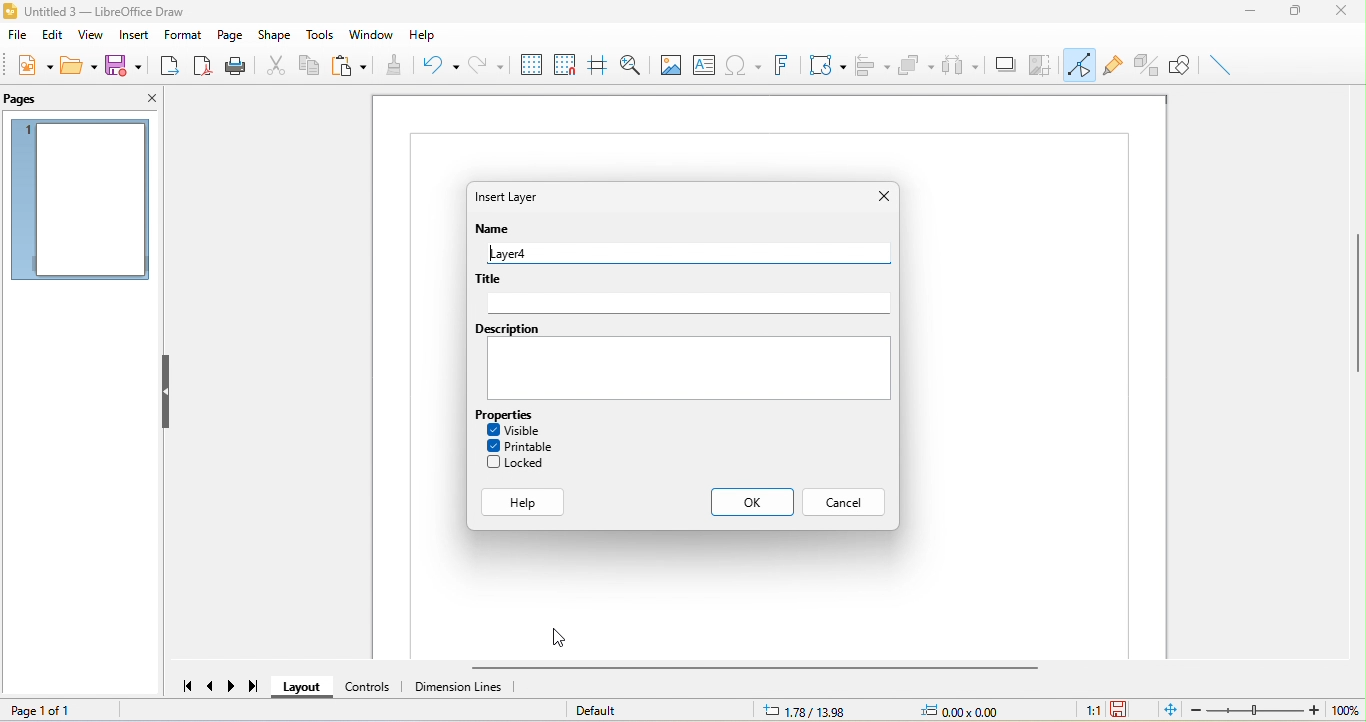 The image size is (1366, 722). What do you see at coordinates (517, 253) in the screenshot?
I see `Layer4` at bounding box center [517, 253].